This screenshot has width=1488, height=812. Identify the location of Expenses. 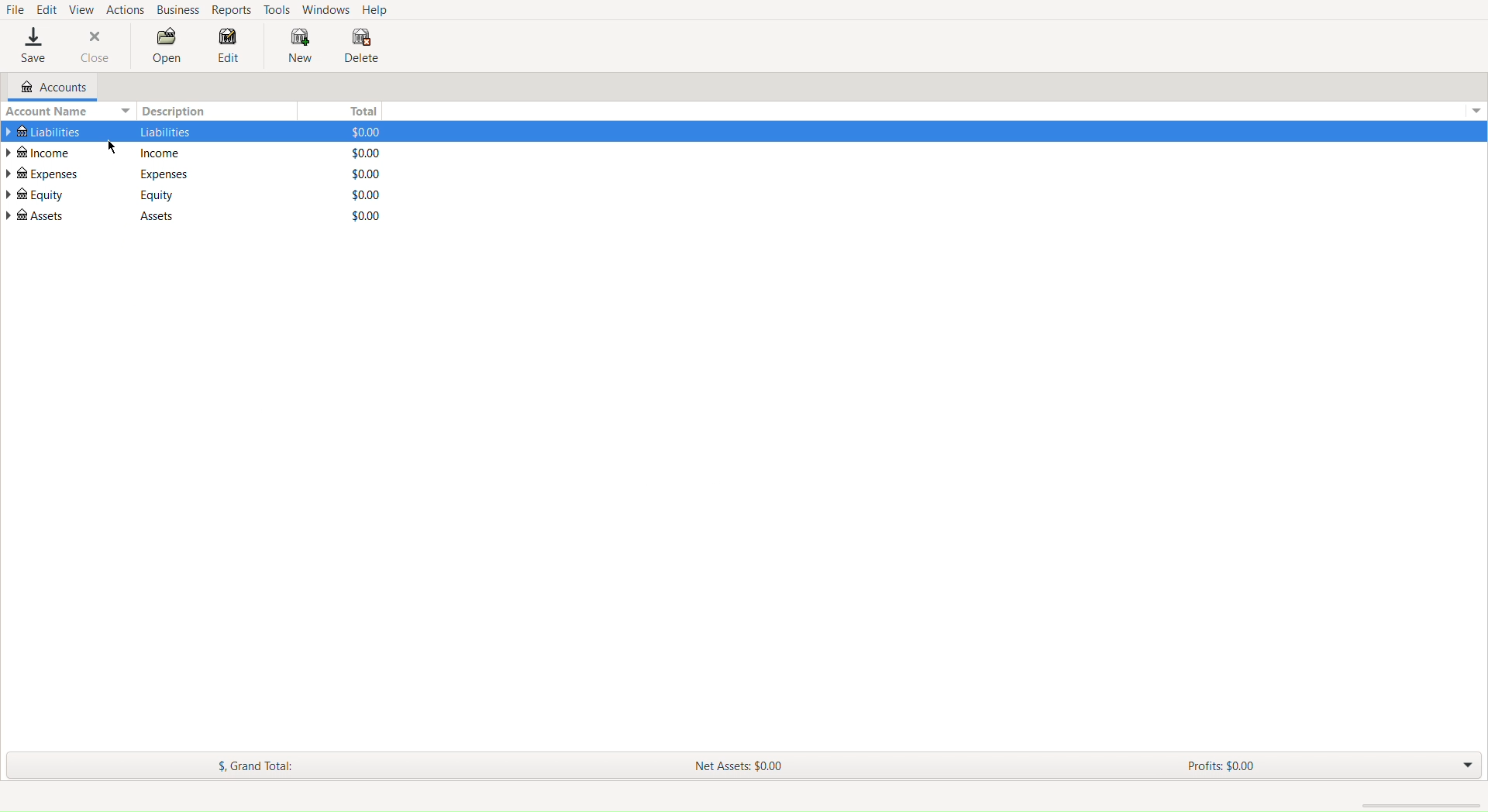
(42, 174).